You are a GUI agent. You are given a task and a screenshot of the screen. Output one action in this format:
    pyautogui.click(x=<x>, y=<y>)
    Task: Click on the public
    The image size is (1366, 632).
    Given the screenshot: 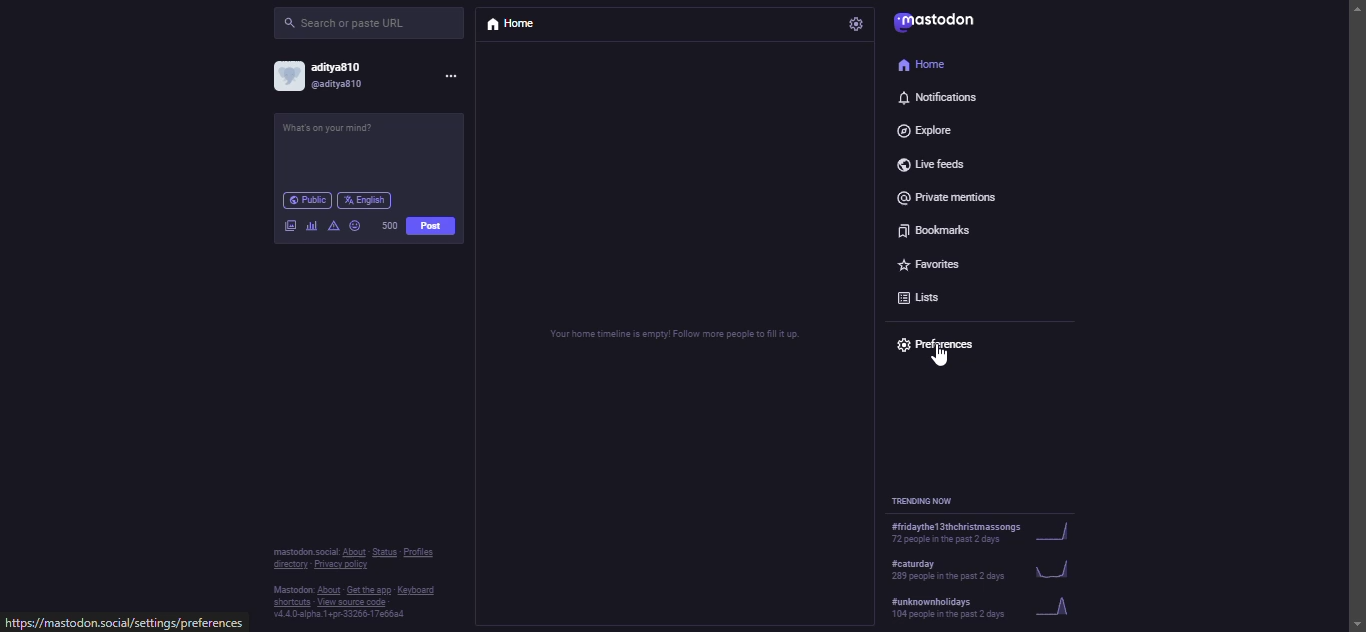 What is the action you would take?
    pyautogui.click(x=305, y=200)
    